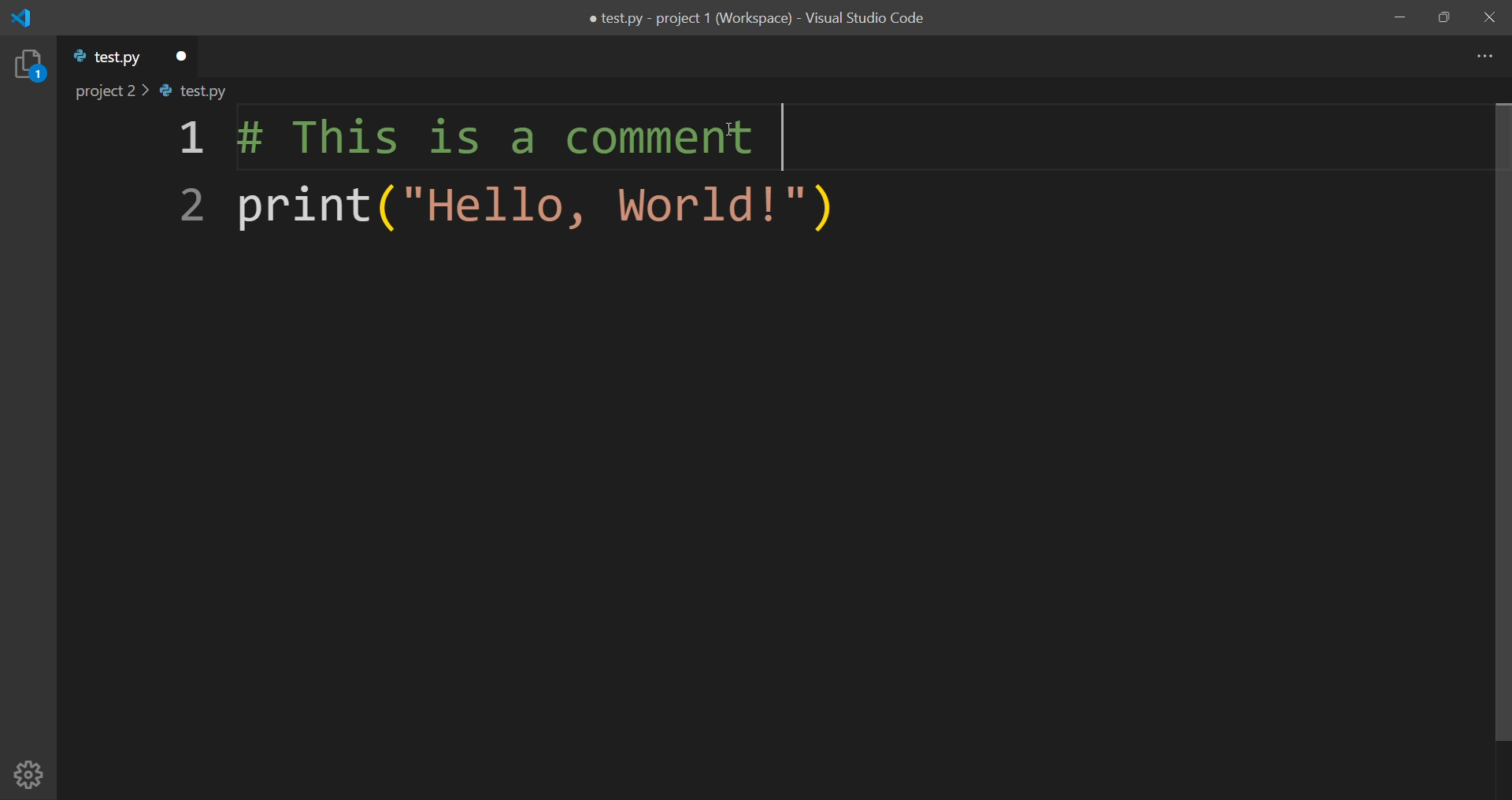  I want to click on maximize, so click(1444, 18).